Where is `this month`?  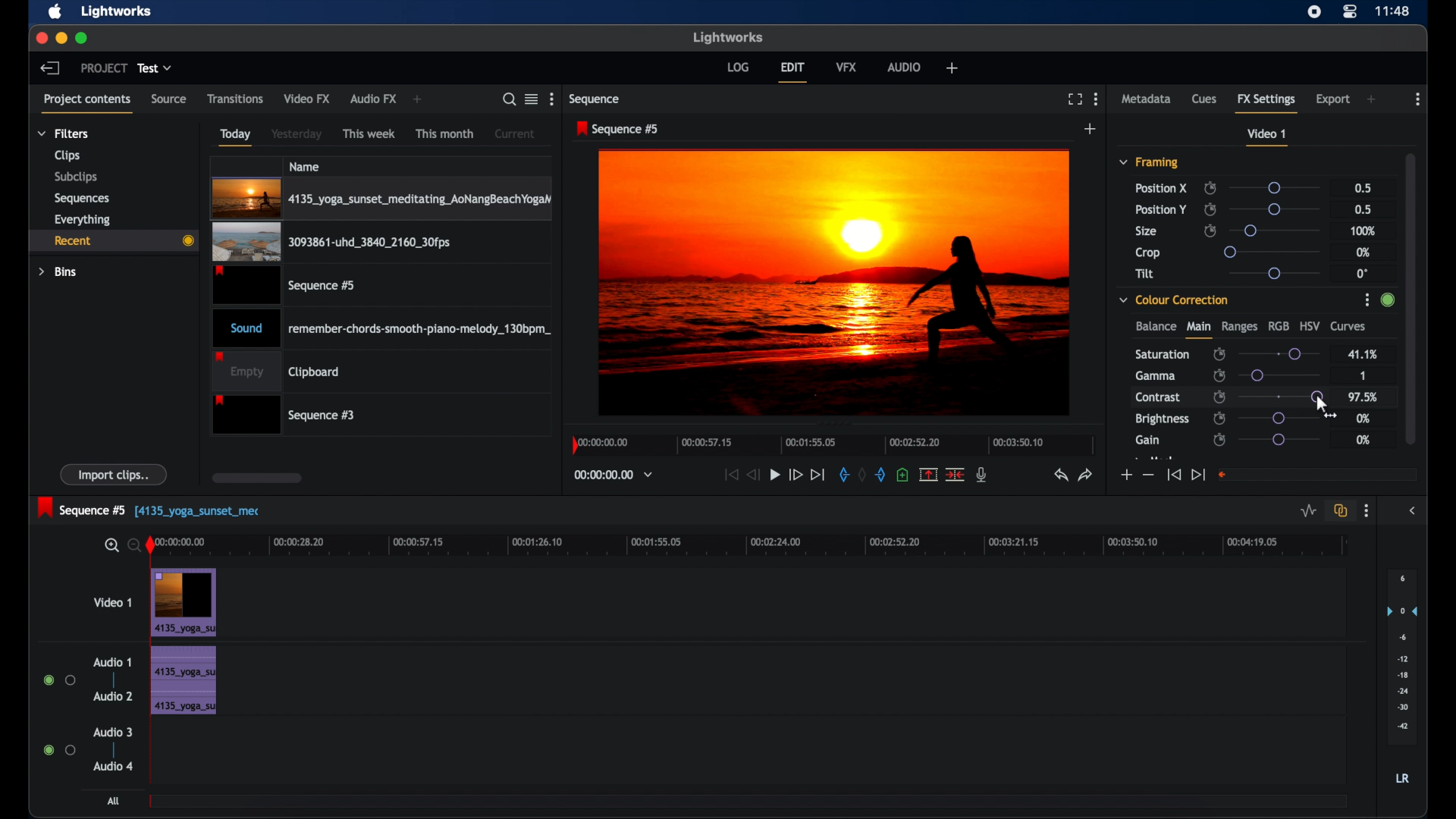
this month is located at coordinates (444, 133).